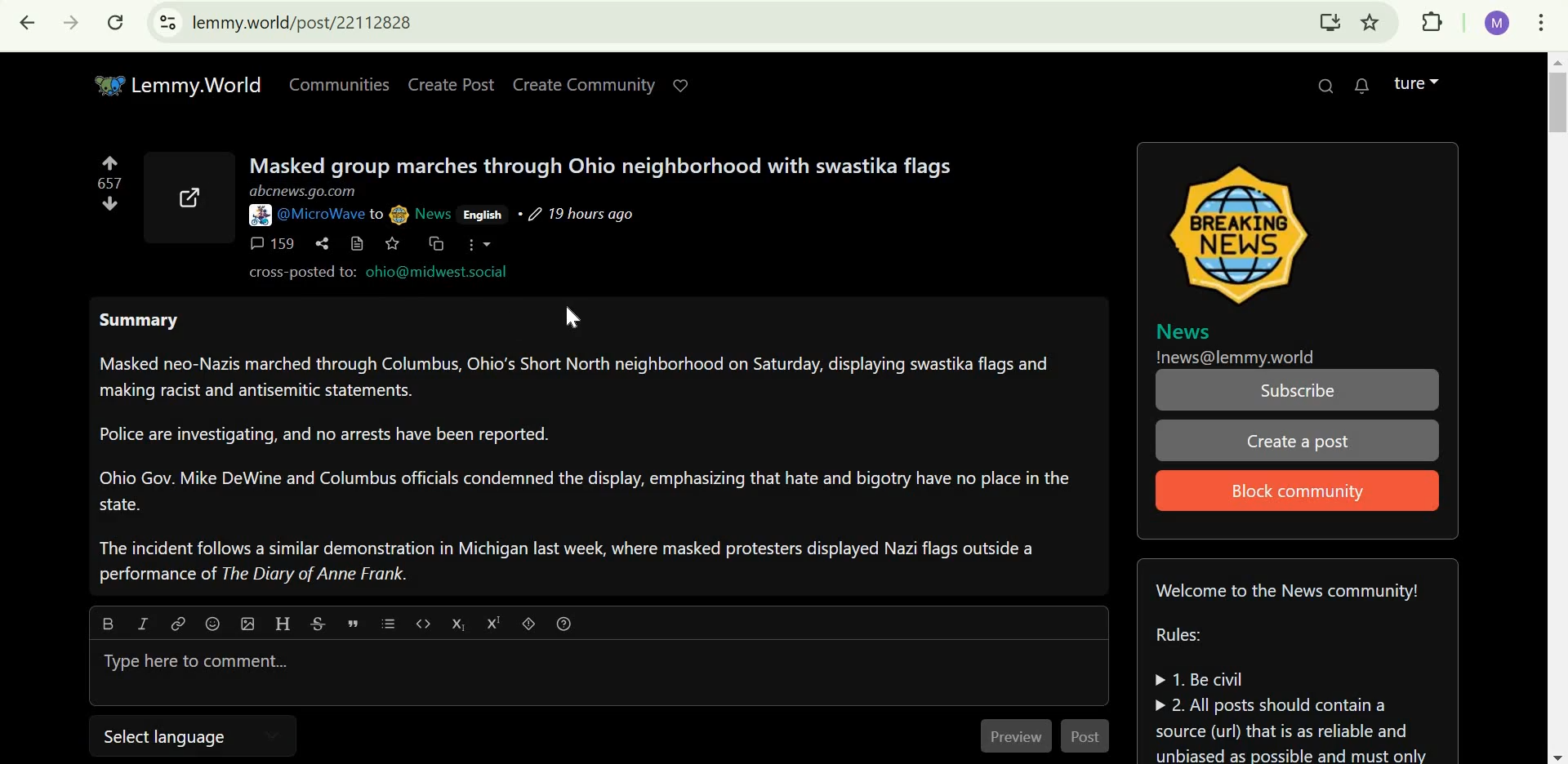 The image size is (1568, 764). What do you see at coordinates (1294, 390) in the screenshot?
I see `Subscribe` at bounding box center [1294, 390].